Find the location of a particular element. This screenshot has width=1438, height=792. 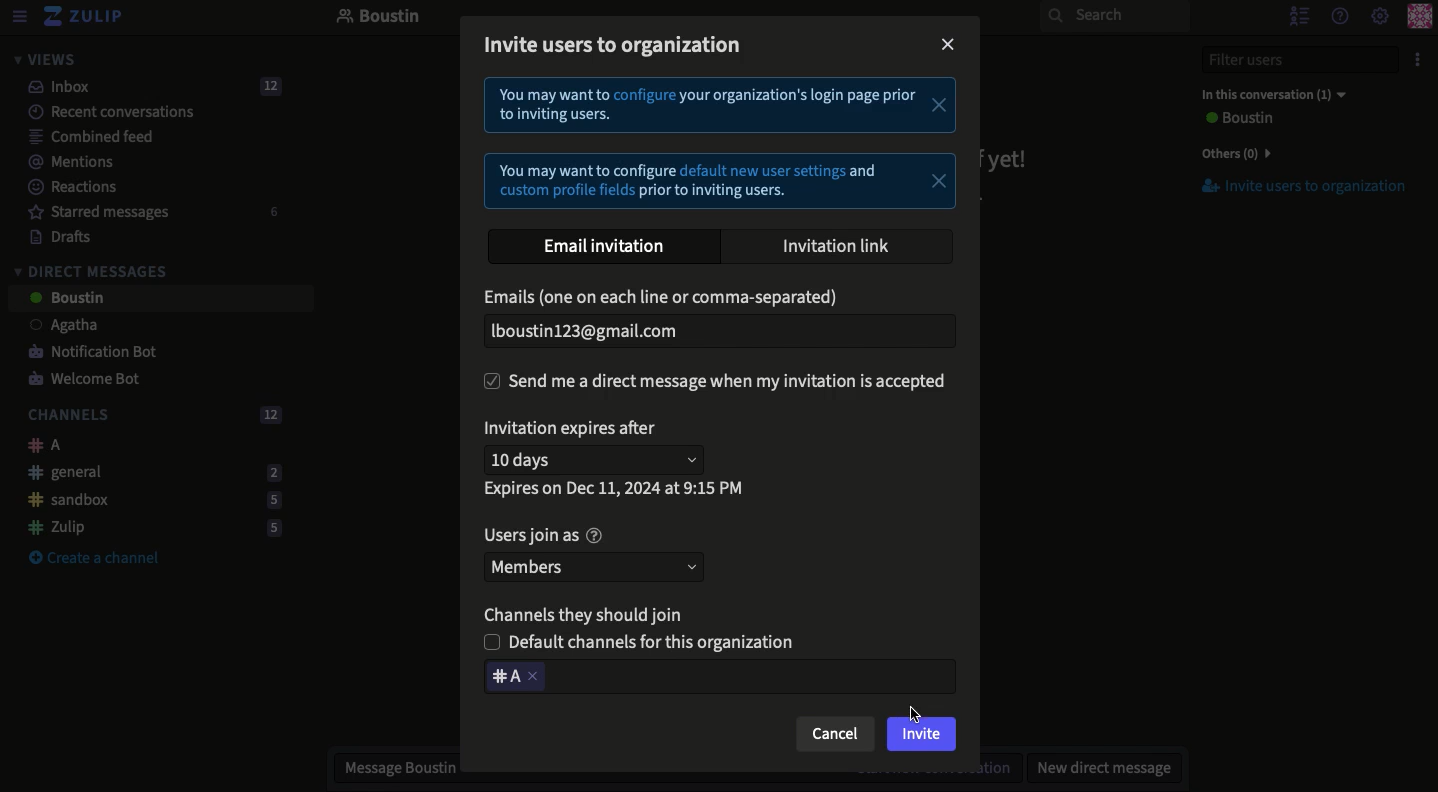

Mentions is located at coordinates (64, 162).